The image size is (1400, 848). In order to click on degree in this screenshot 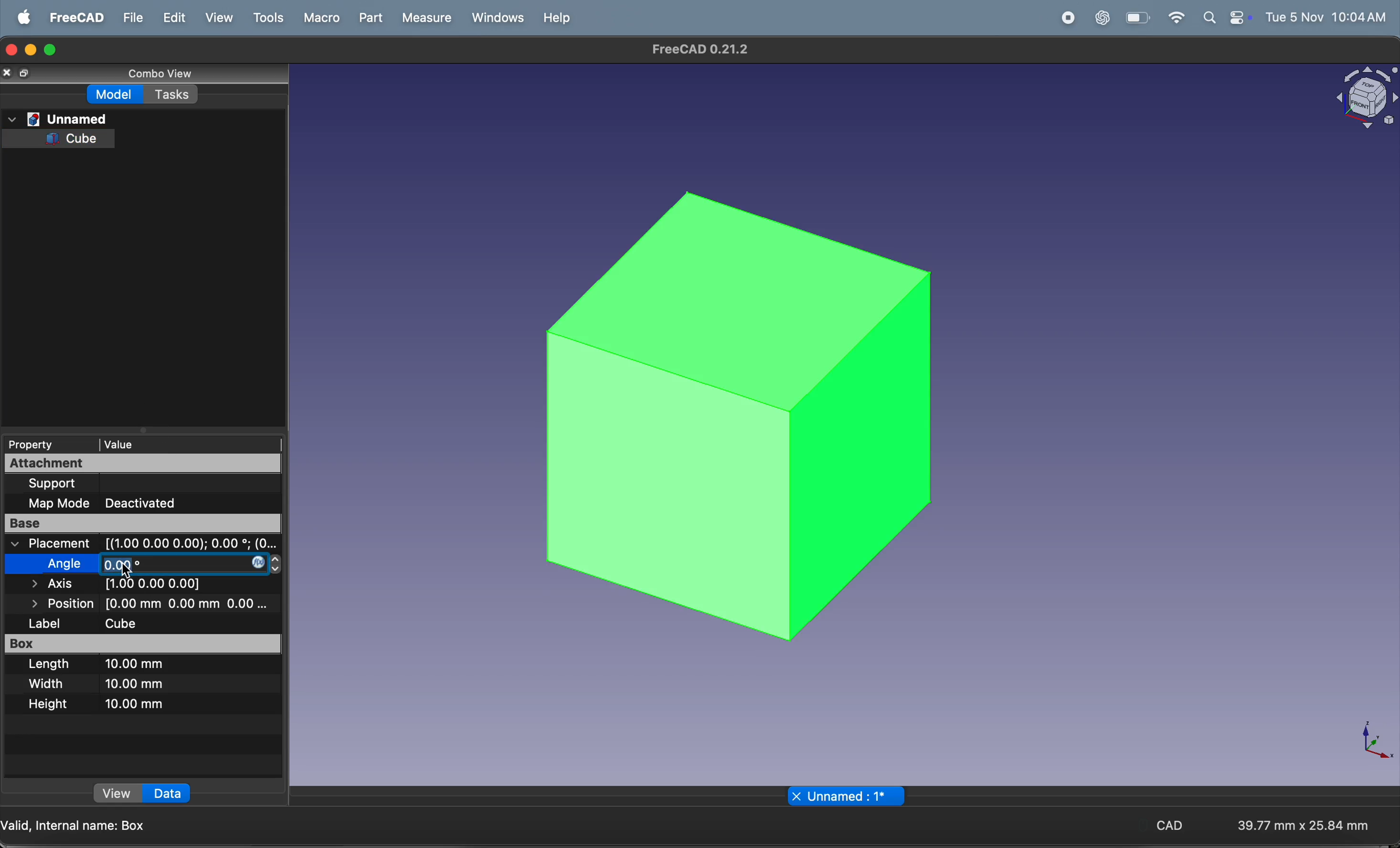, I will do `click(186, 565)`.